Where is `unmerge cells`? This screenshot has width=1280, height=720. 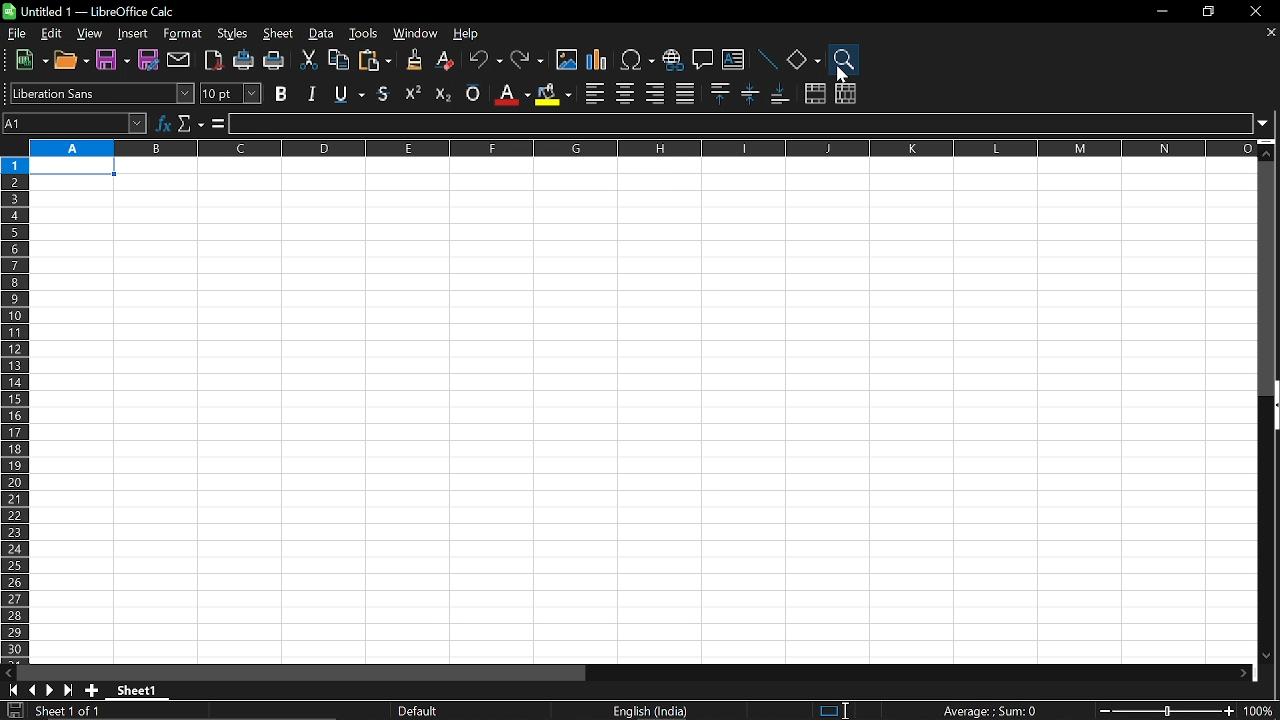
unmerge cells is located at coordinates (845, 93).